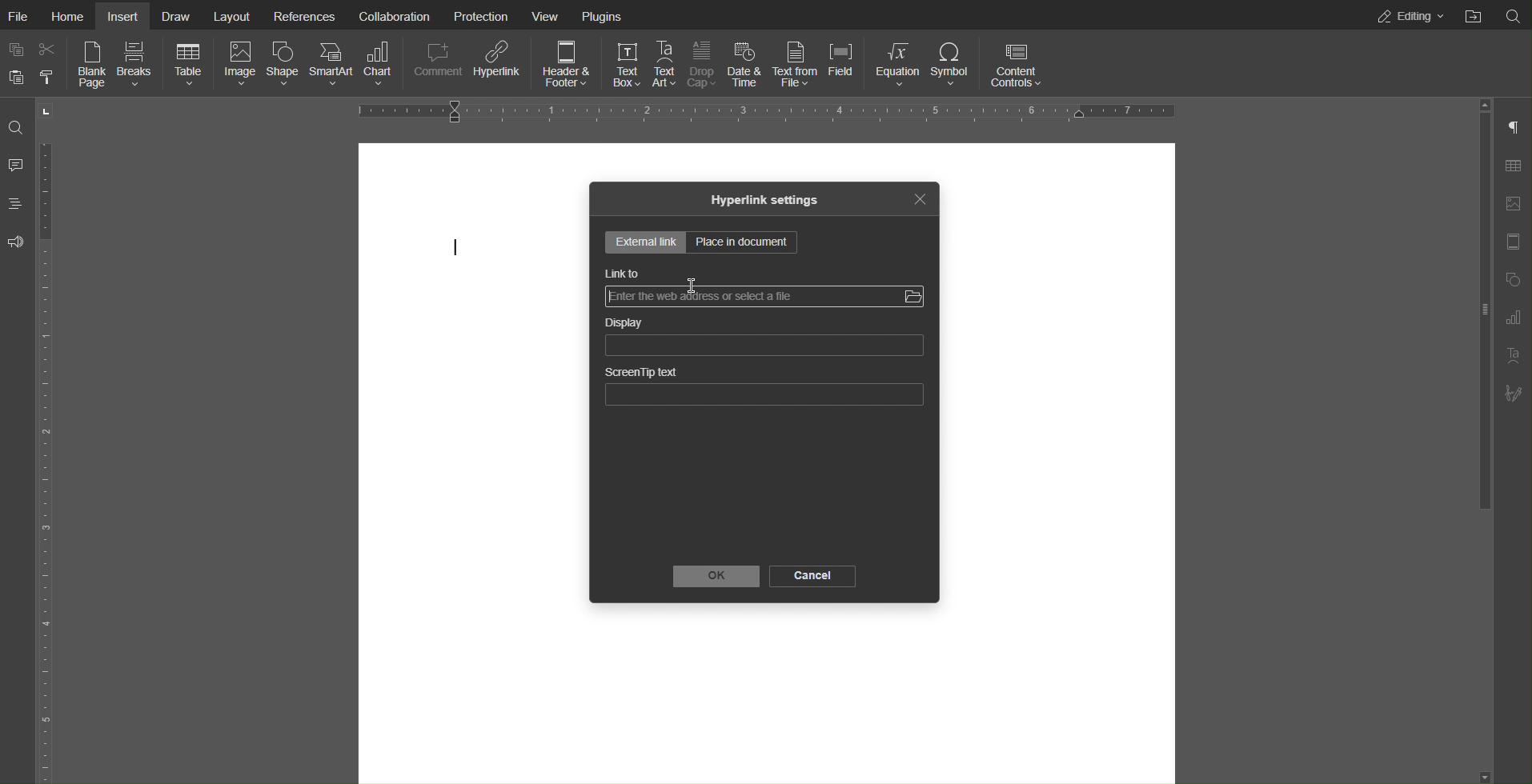 This screenshot has width=1532, height=784. I want to click on Text Box, so click(628, 65).